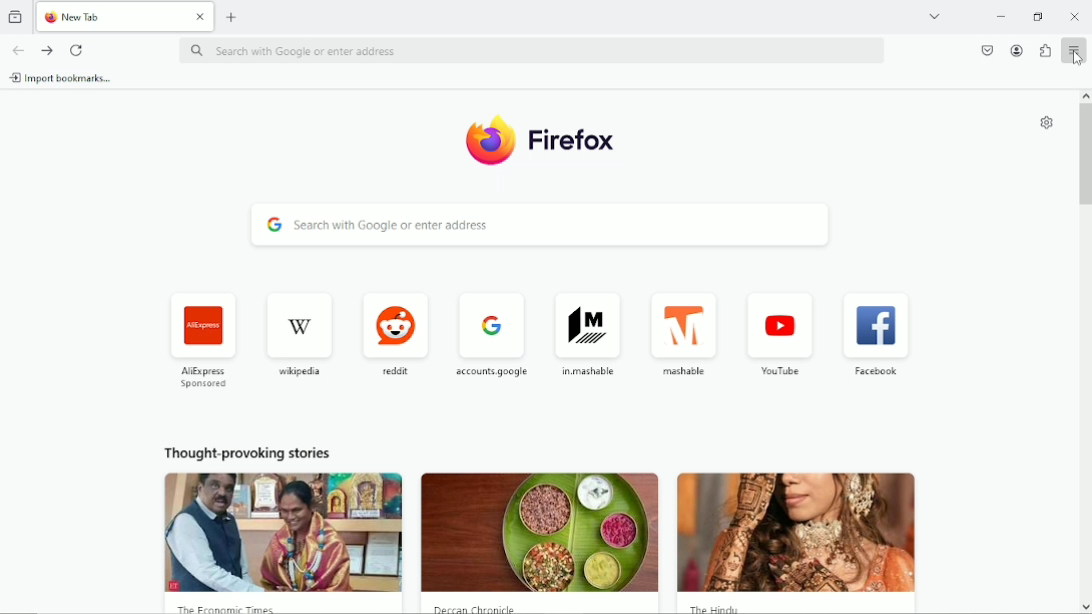 This screenshot has width=1092, height=614. Describe the element at coordinates (250, 452) in the screenshot. I see `thought provoking stories` at that location.